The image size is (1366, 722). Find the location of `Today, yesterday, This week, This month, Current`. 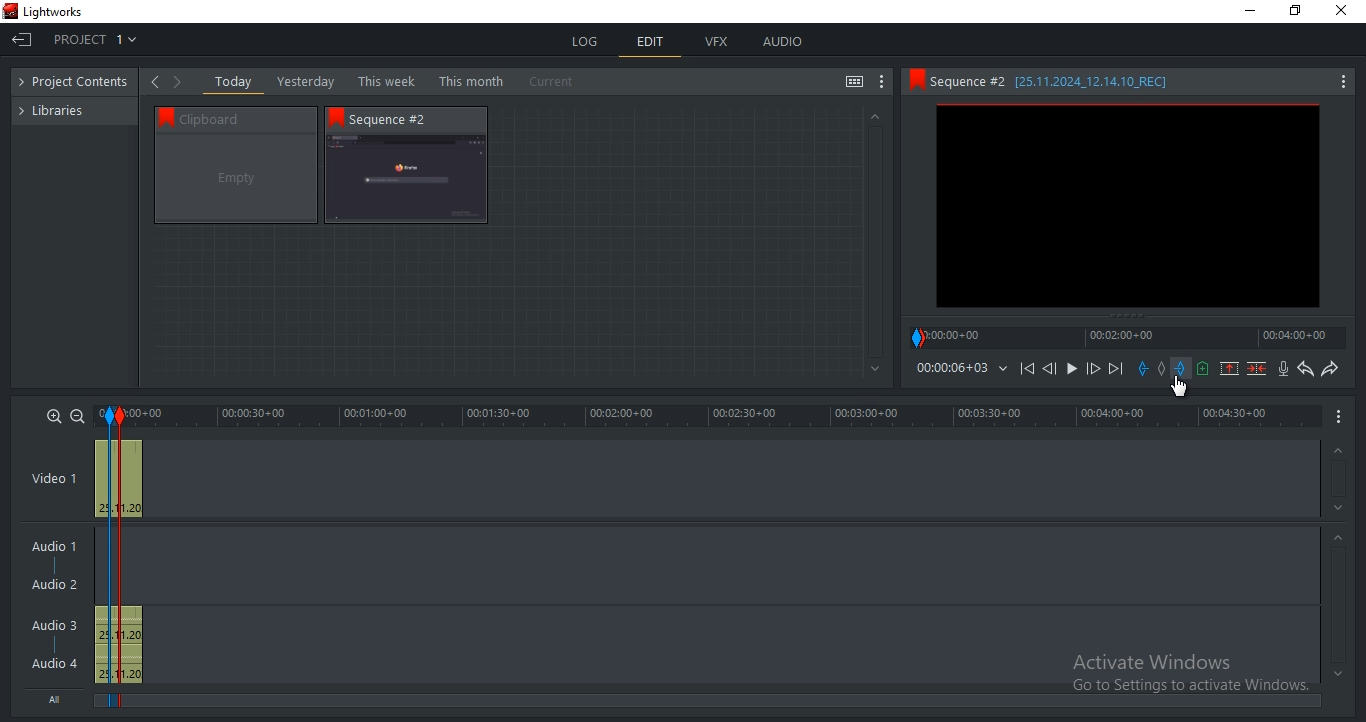

Today, yesterday, This week, This month, Current is located at coordinates (399, 81).